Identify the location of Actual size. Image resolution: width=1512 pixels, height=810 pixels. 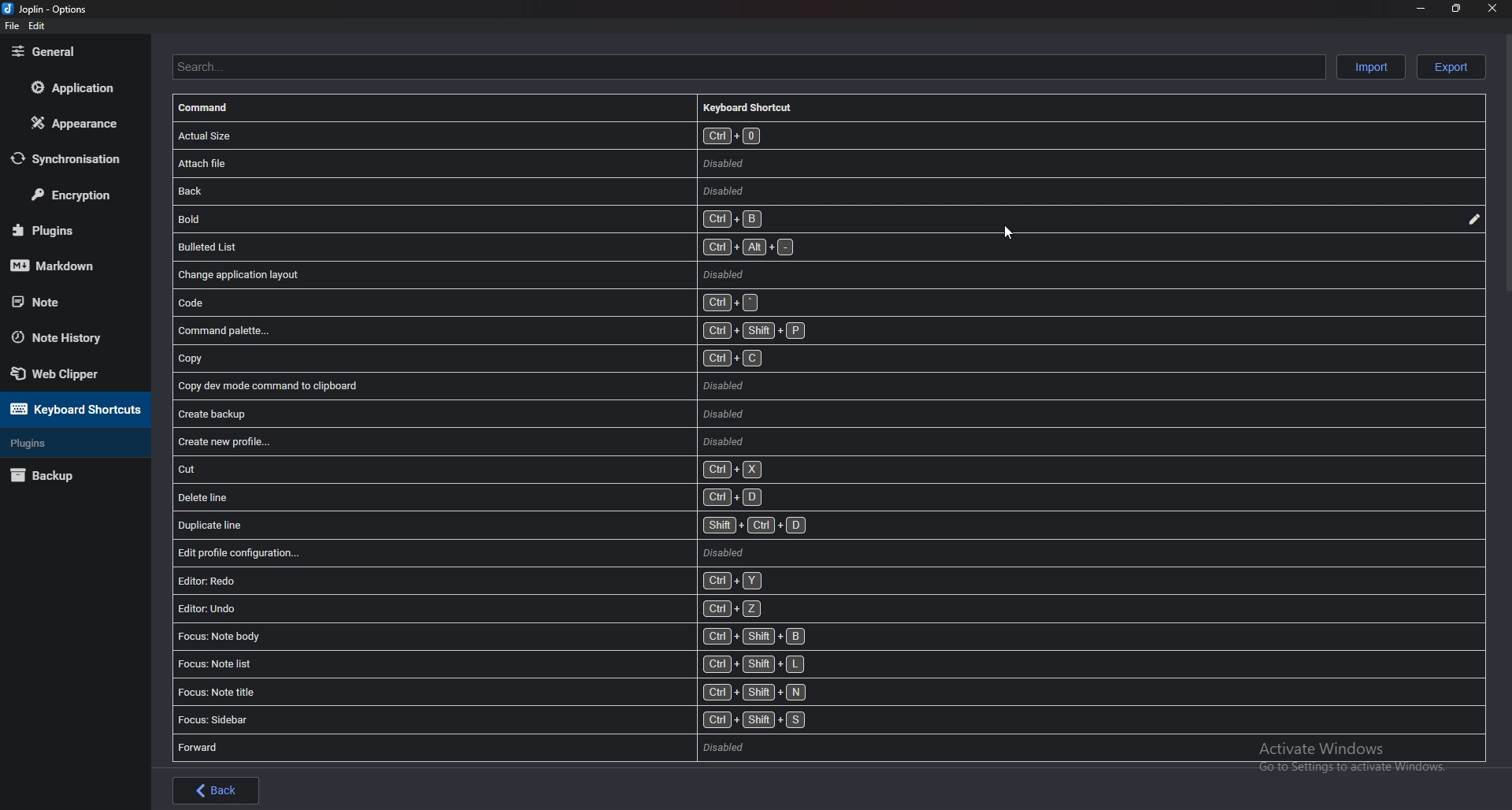
(654, 136).